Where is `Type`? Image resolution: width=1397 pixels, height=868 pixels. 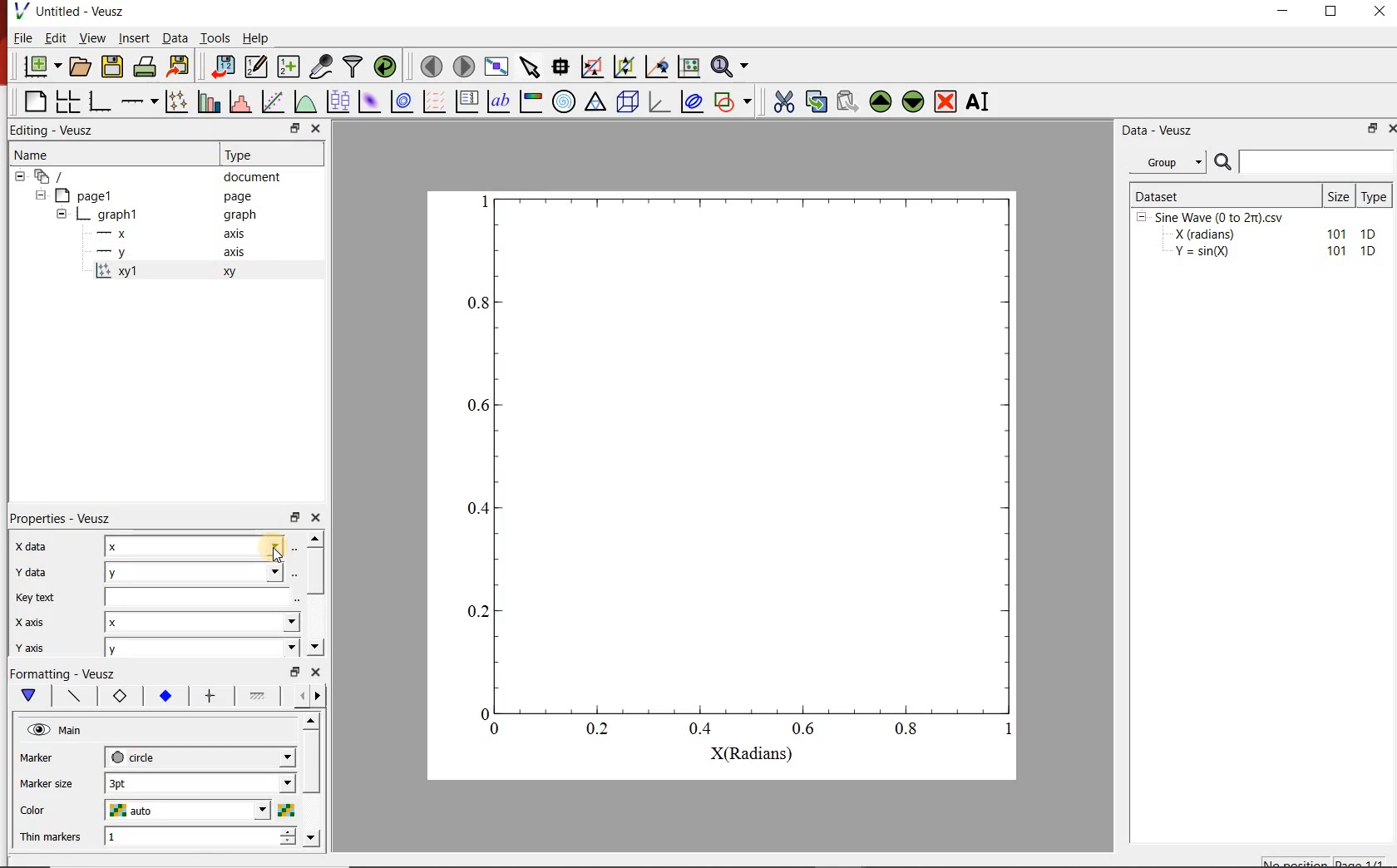 Type is located at coordinates (1377, 195).